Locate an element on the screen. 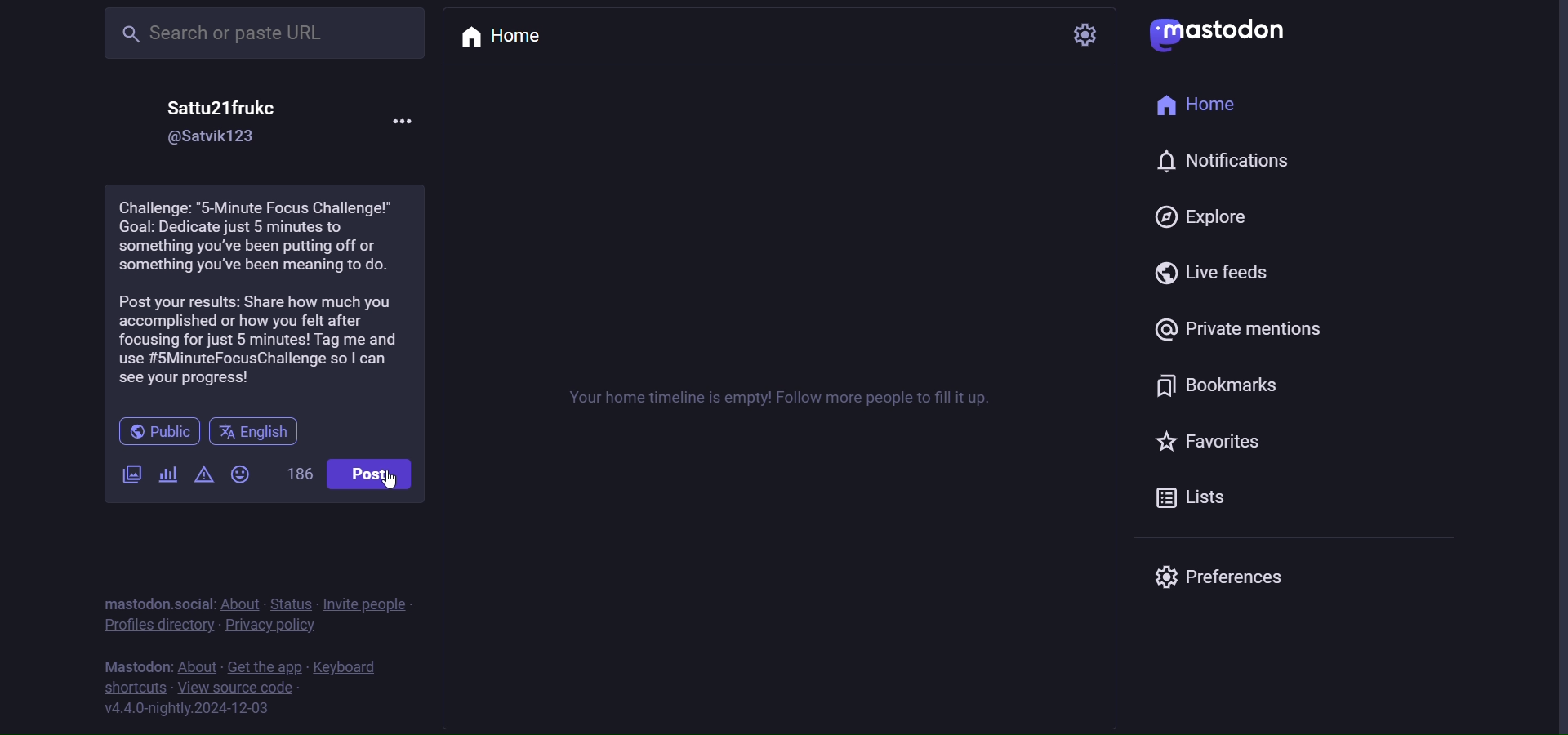 The height and width of the screenshot is (735, 1568). about is located at coordinates (243, 601).